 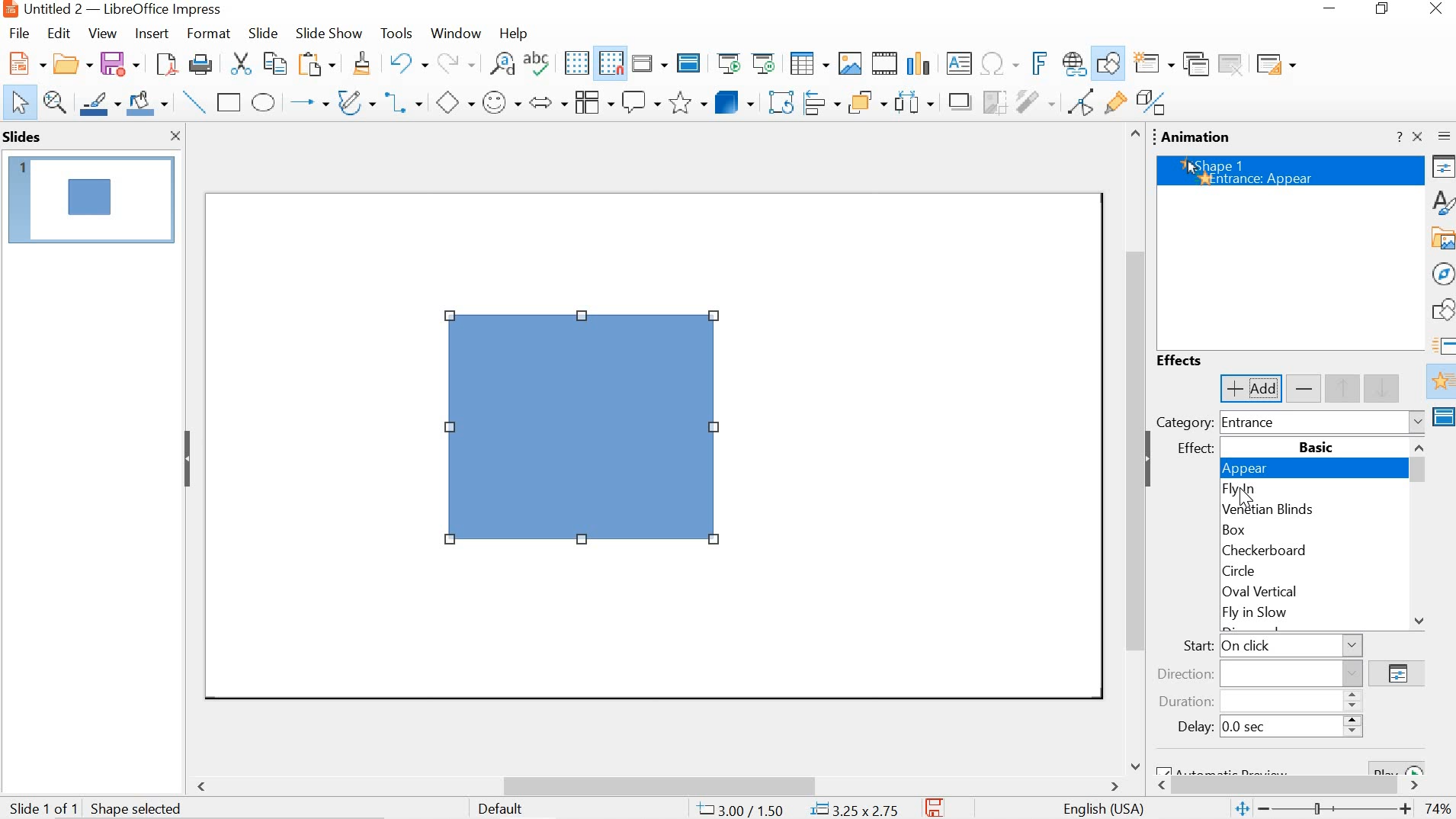 I want to click on hide, so click(x=1154, y=461).